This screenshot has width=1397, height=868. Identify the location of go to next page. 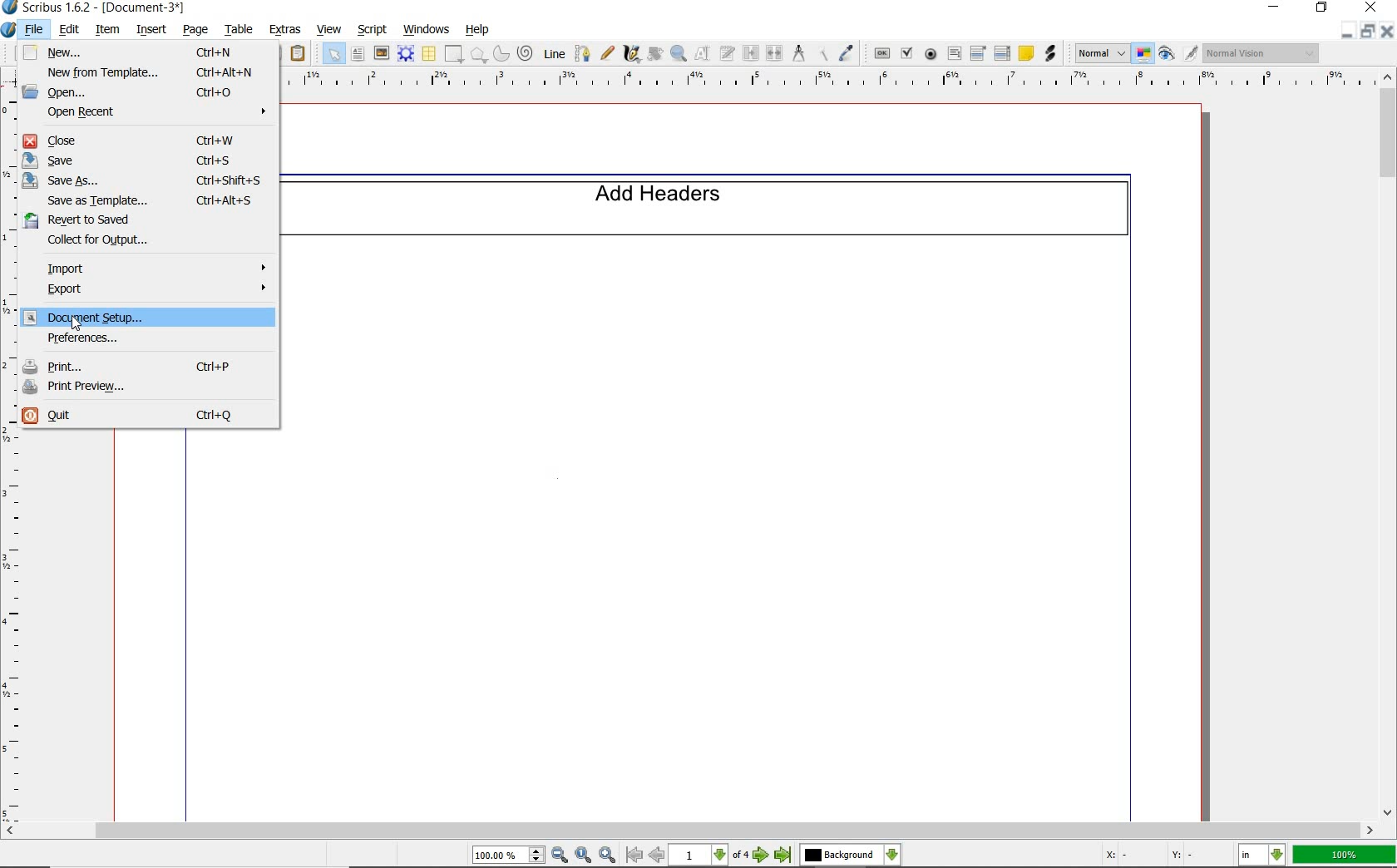
(763, 856).